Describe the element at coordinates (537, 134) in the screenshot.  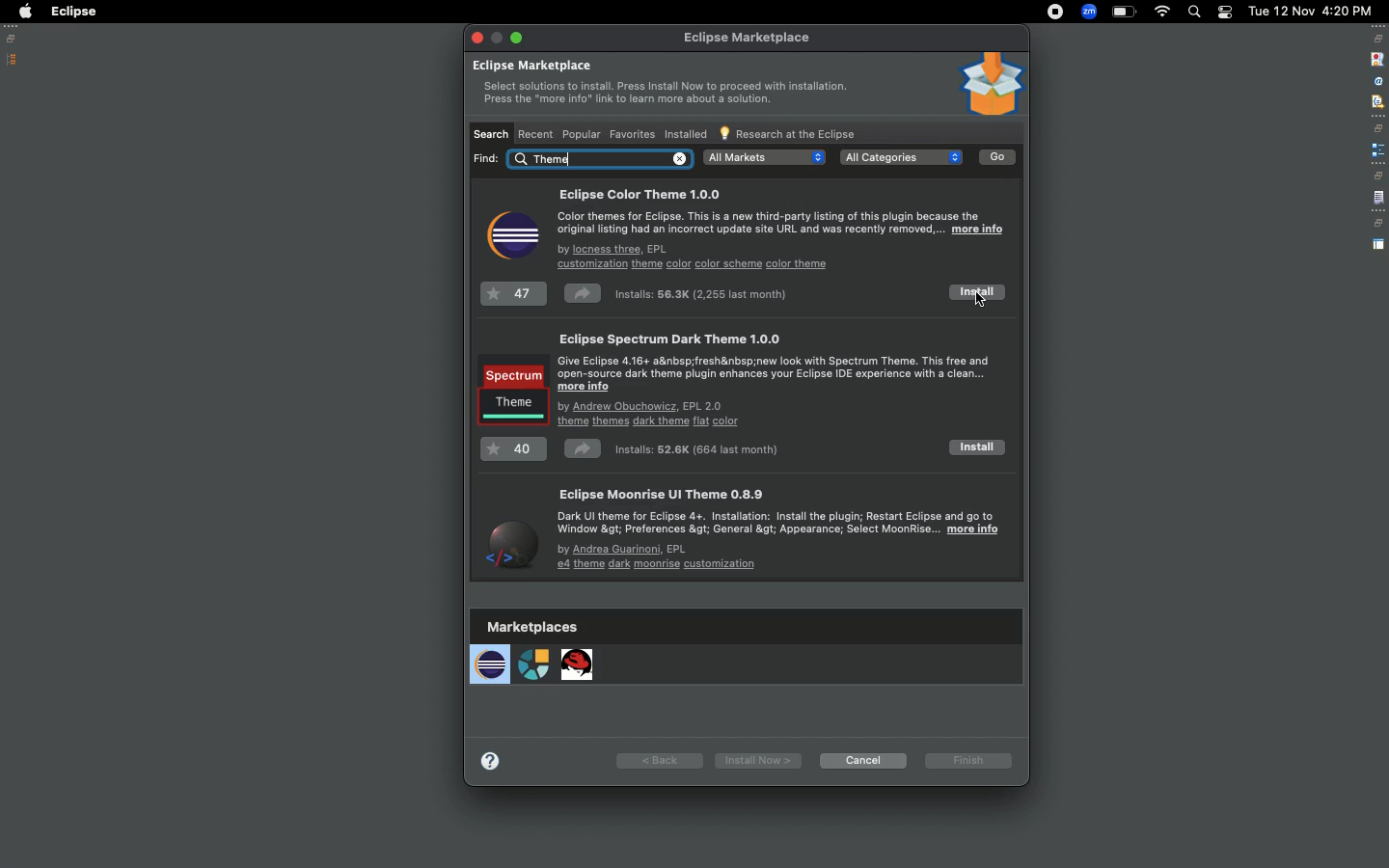
I see `Recent` at that location.